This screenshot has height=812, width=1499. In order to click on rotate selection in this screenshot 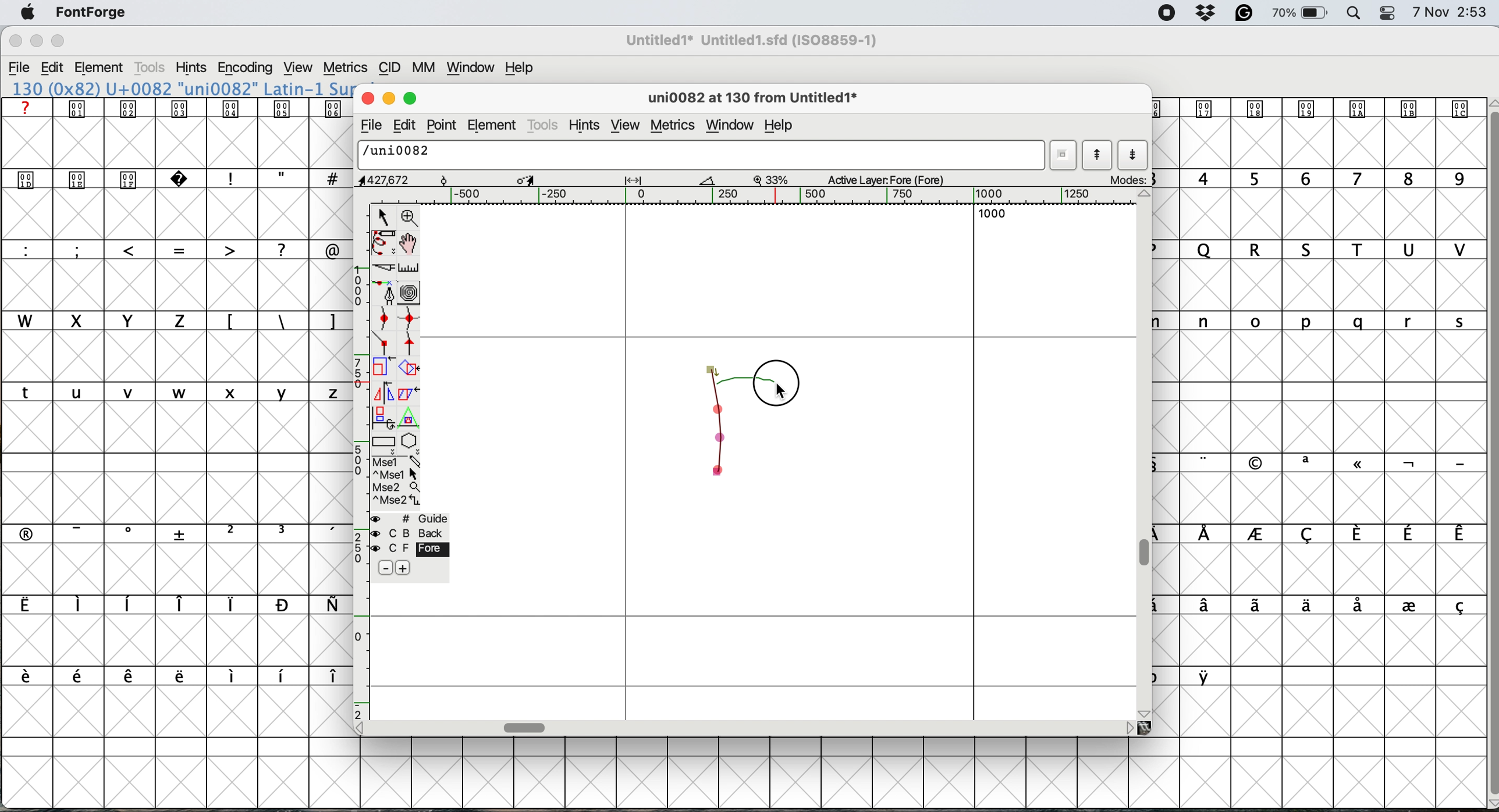, I will do `click(410, 369)`.